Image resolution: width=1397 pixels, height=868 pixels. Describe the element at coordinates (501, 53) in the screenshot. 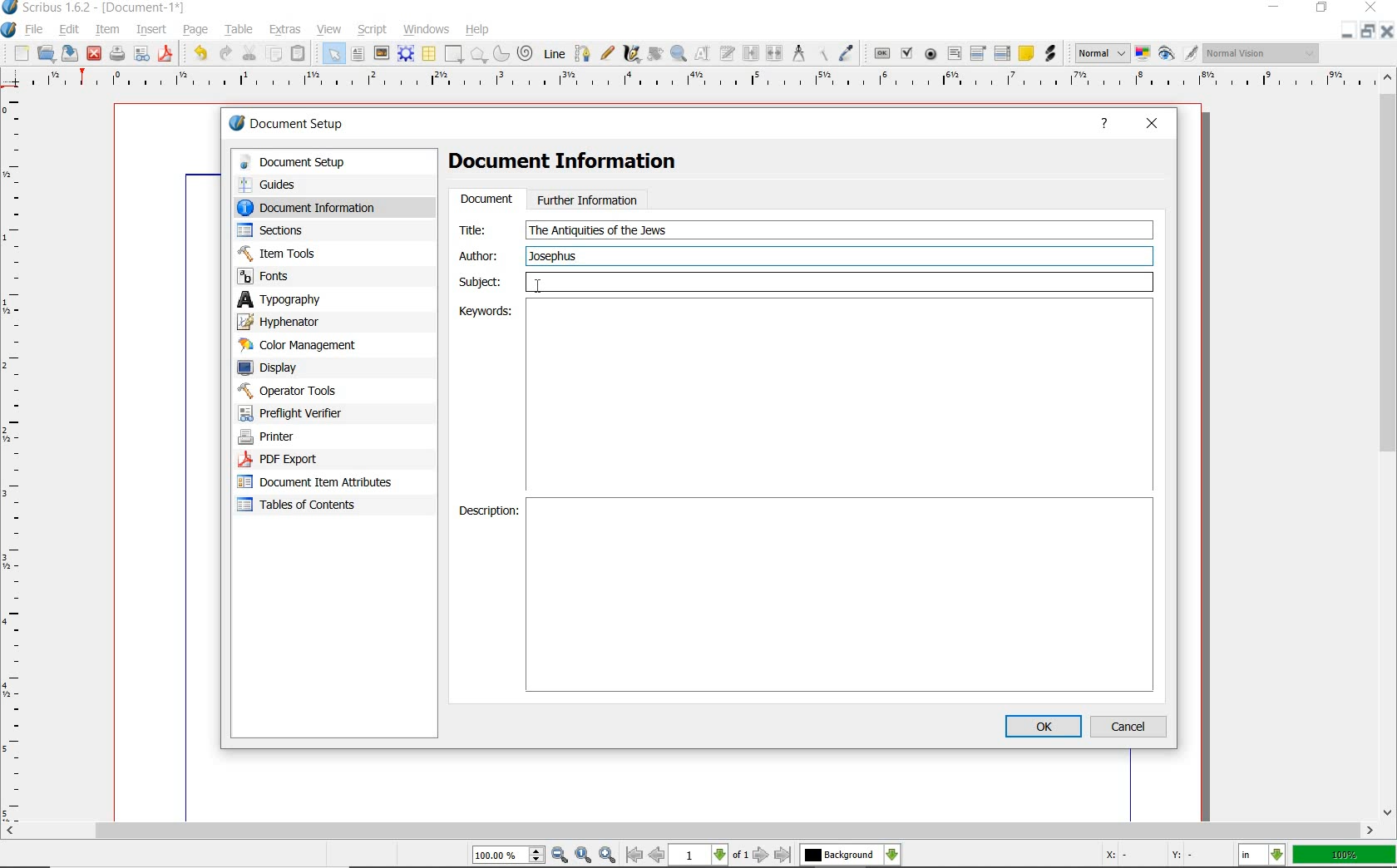

I see `arc` at that location.